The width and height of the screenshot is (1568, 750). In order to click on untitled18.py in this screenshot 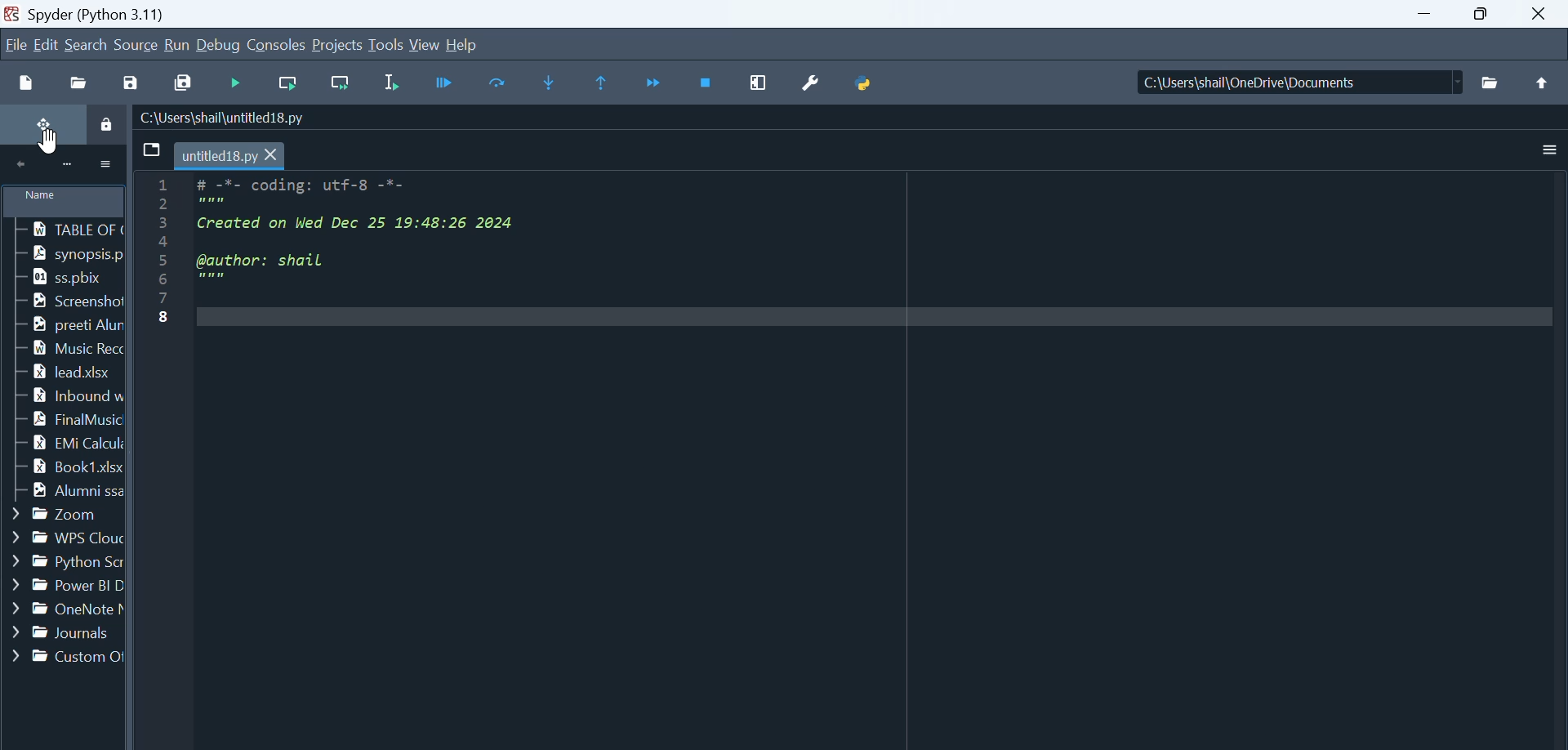, I will do `click(232, 156)`.